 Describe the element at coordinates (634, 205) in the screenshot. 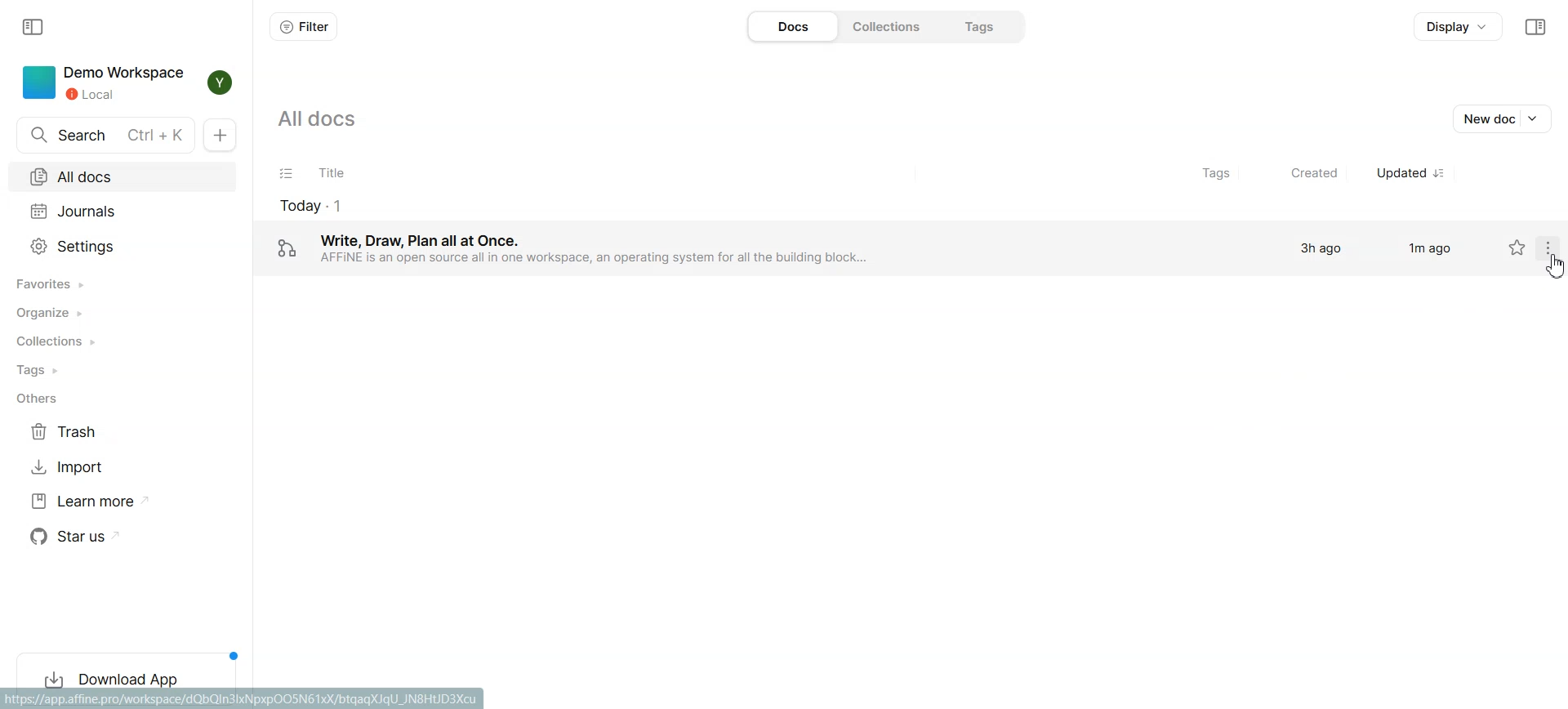

I see `Today` at that location.